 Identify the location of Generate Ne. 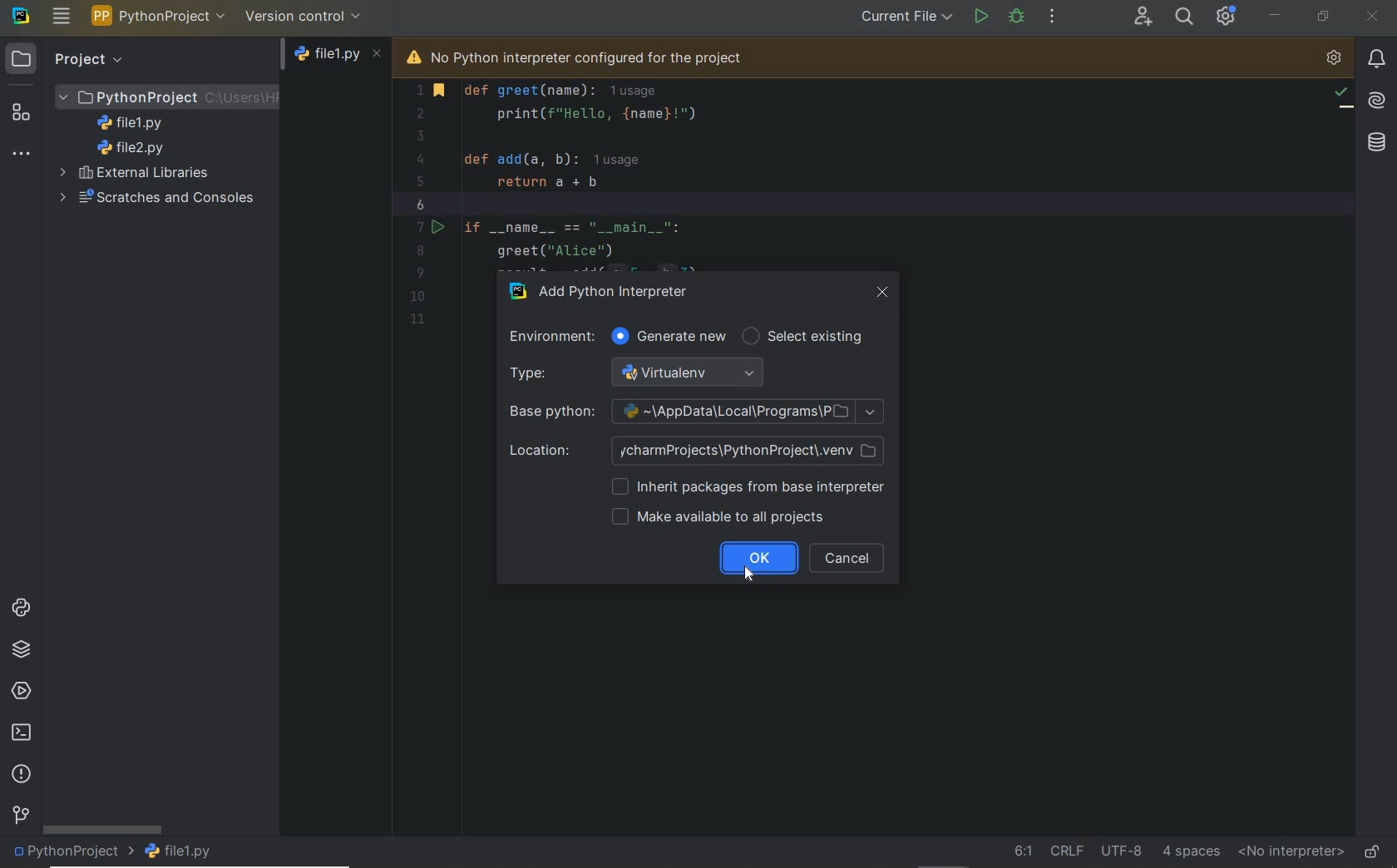
(672, 338).